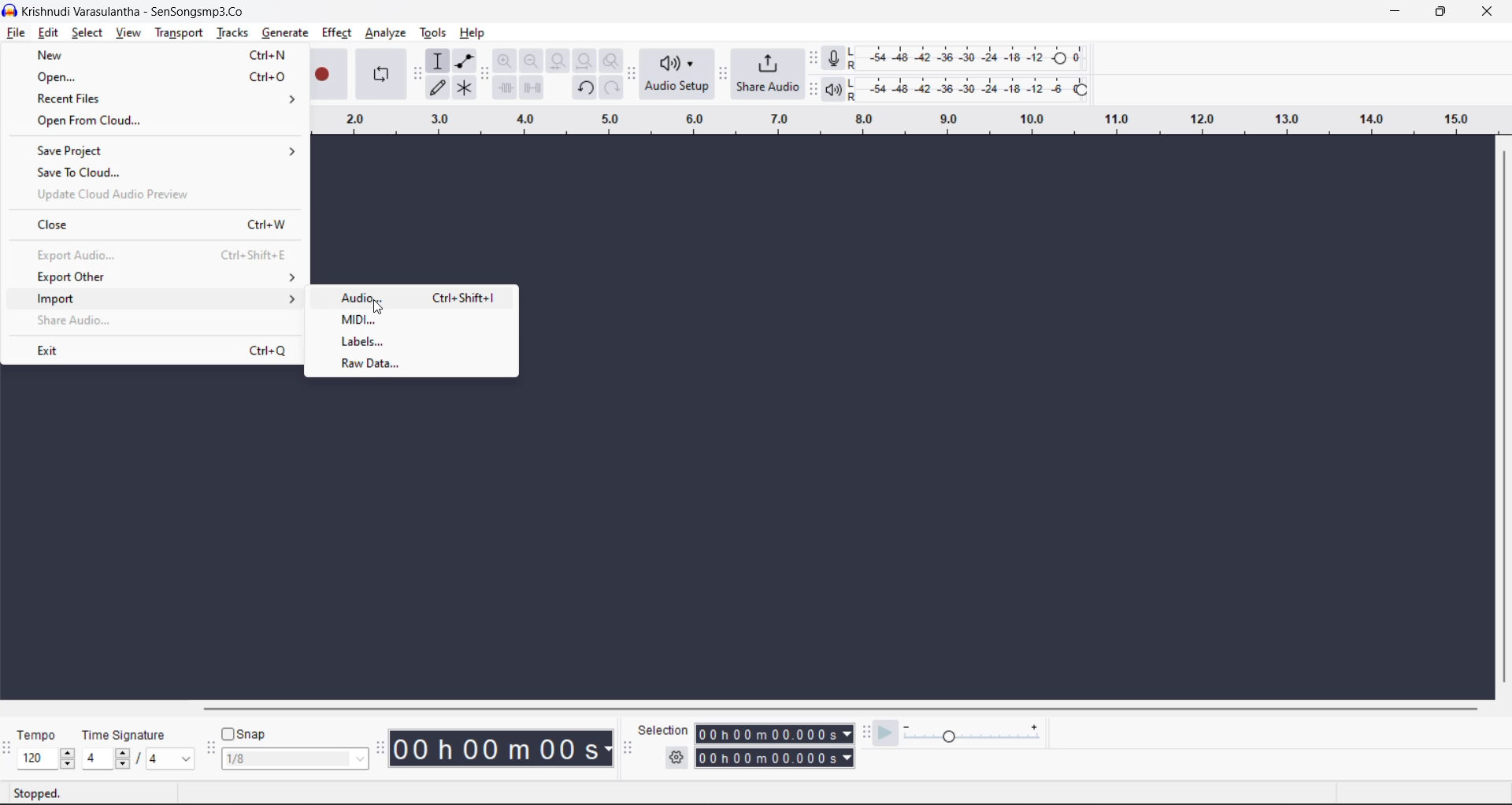 The image size is (1512, 805). What do you see at coordinates (776, 759) in the screenshot?
I see `00 h 00m 00.000s` at bounding box center [776, 759].